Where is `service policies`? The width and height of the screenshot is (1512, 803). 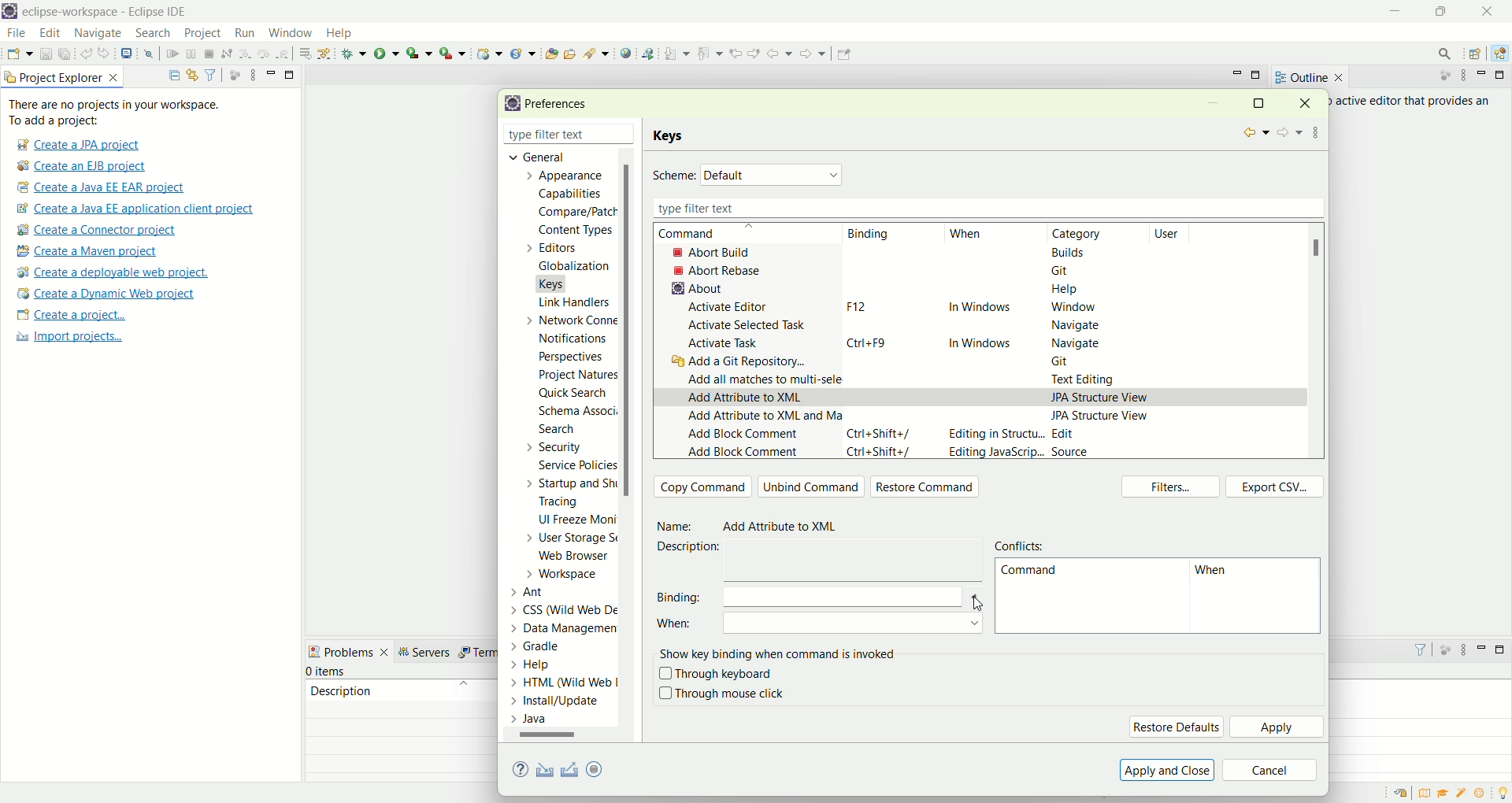
service policies is located at coordinates (576, 465).